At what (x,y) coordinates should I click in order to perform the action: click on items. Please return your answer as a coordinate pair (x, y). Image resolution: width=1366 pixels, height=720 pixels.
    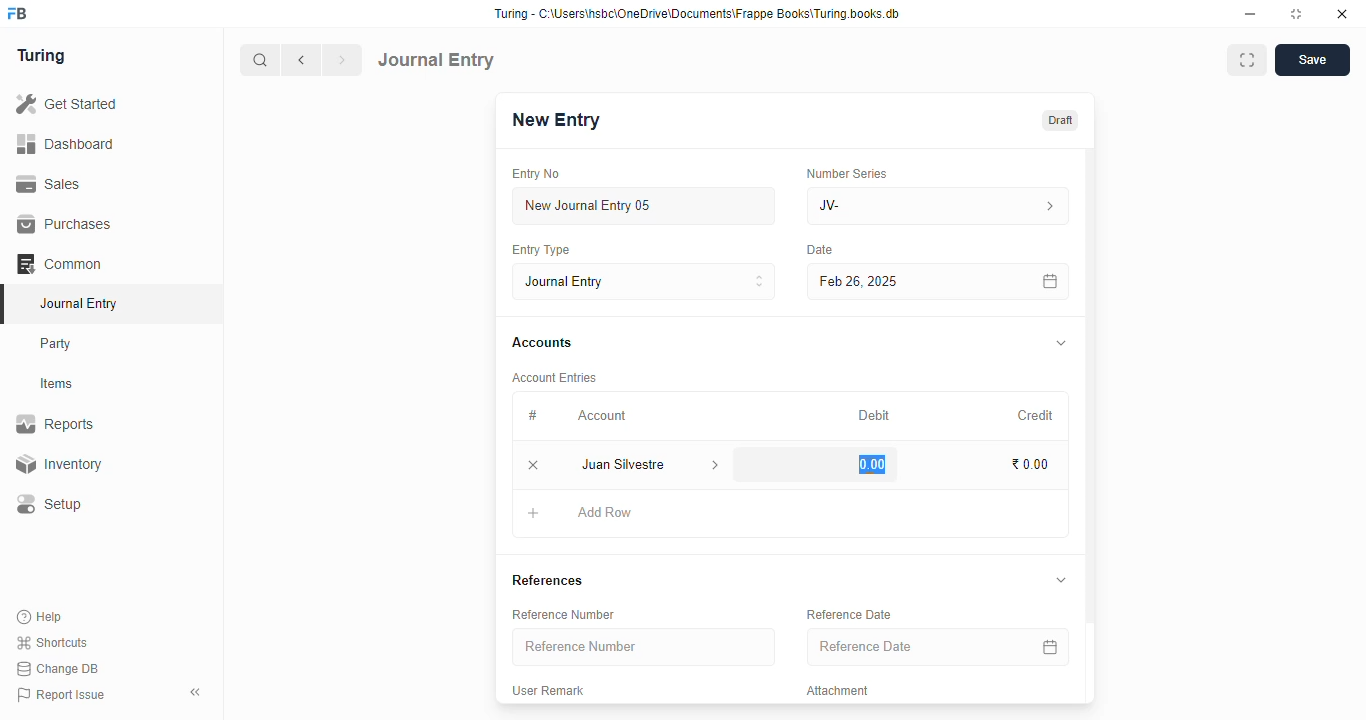
    Looking at the image, I should click on (59, 384).